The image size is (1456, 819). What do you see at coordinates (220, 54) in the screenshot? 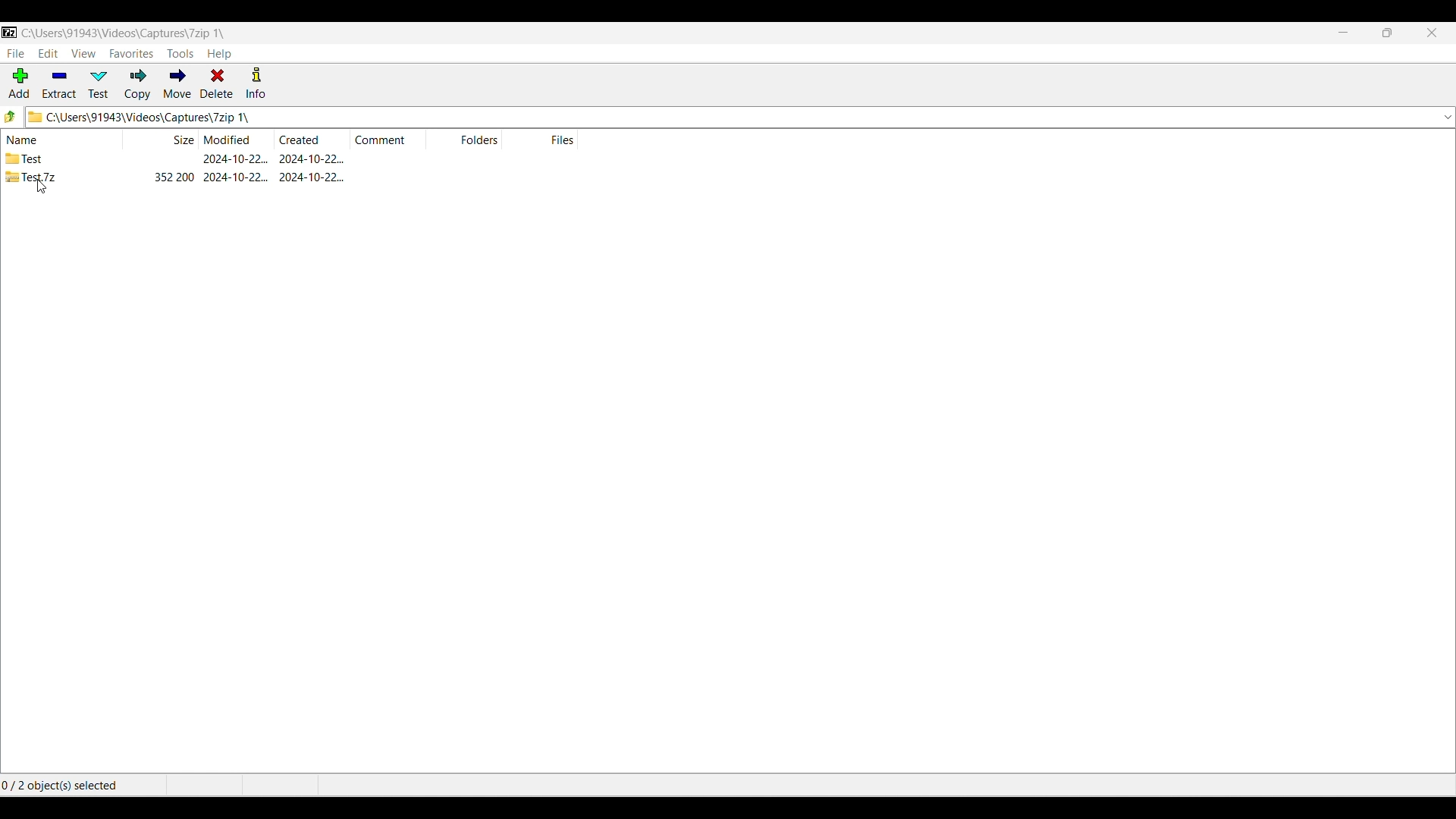
I see `Help` at bounding box center [220, 54].